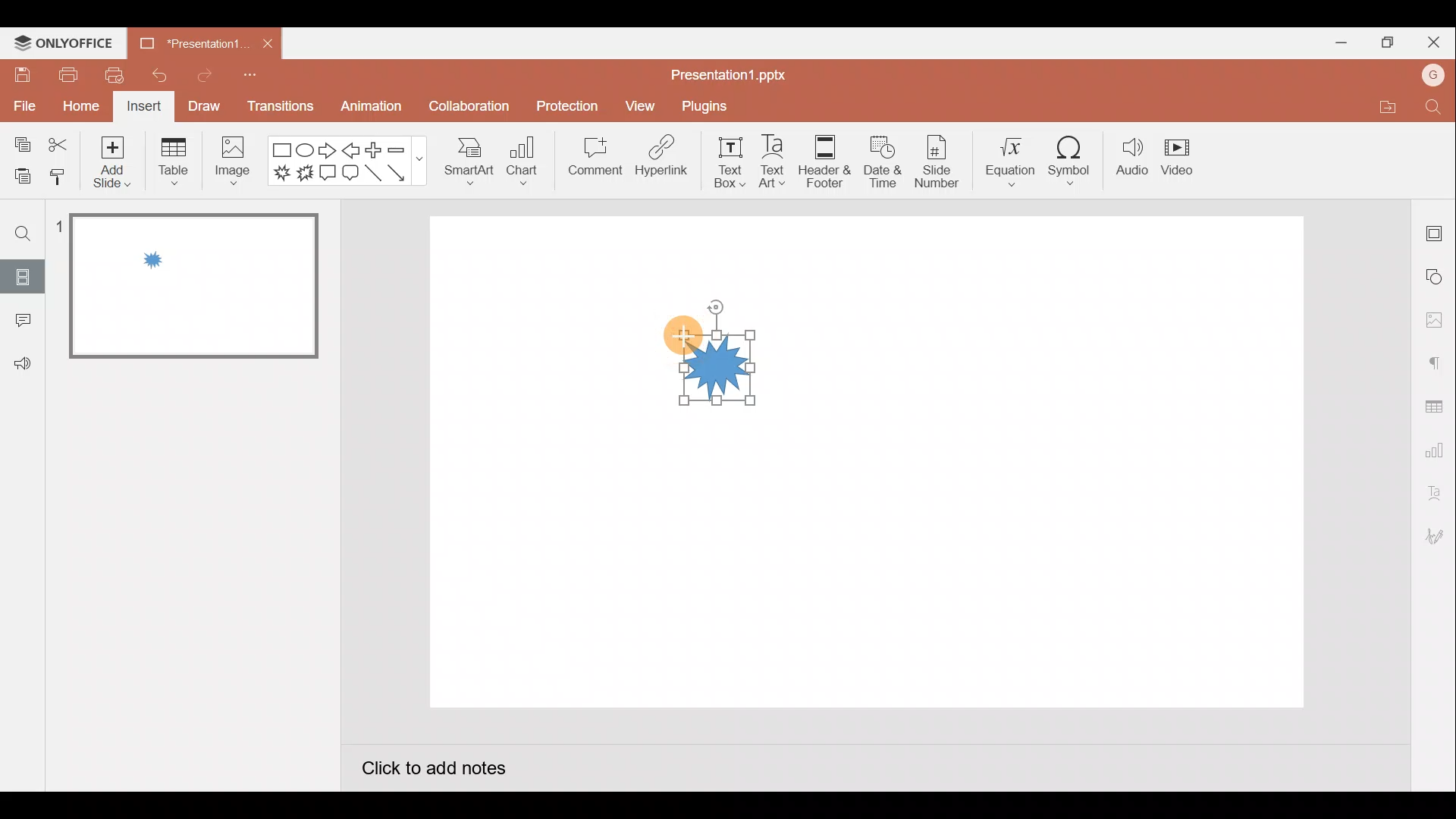  Describe the element at coordinates (595, 164) in the screenshot. I see `Comment` at that location.